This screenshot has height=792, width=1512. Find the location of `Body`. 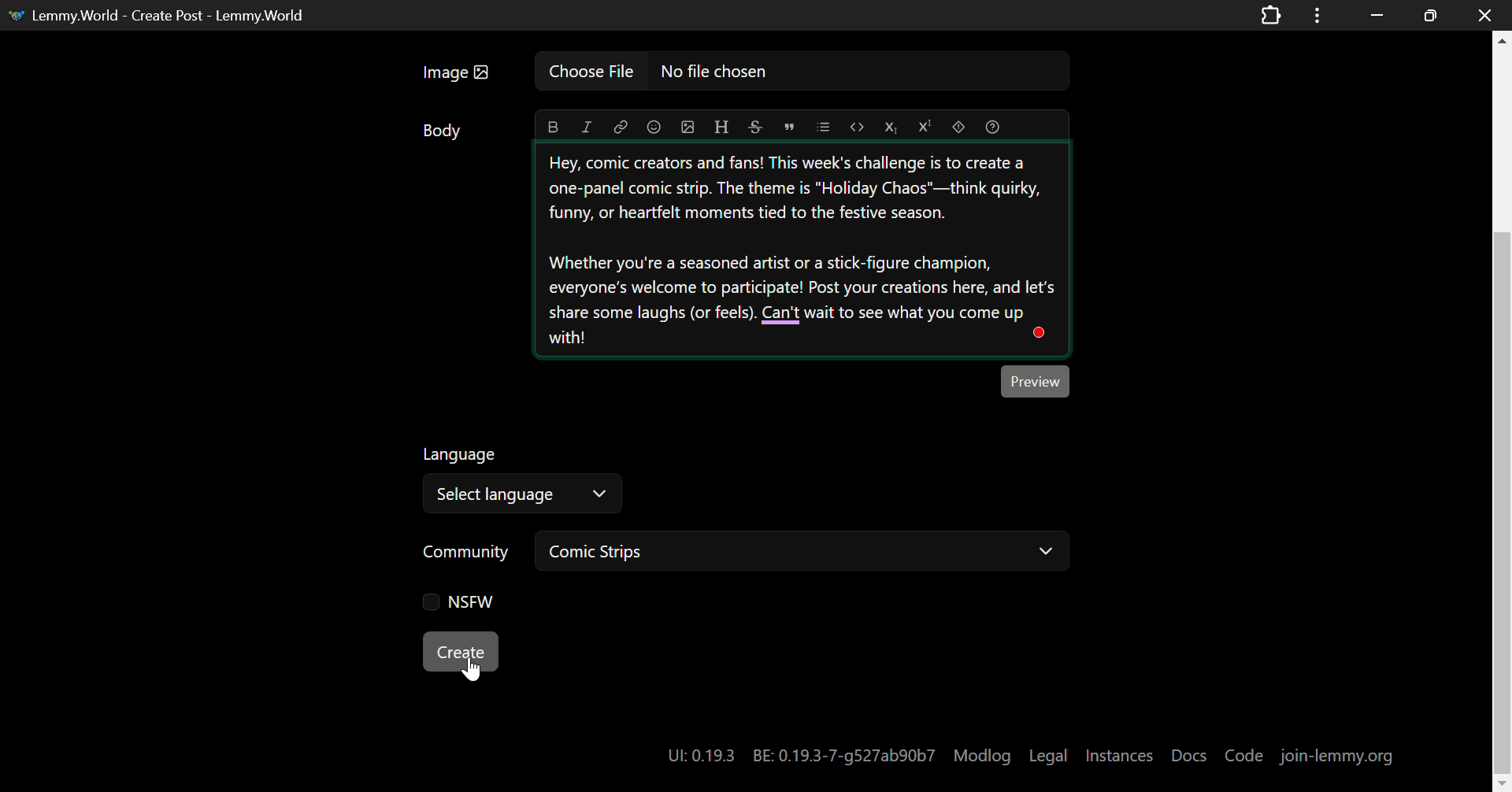

Body is located at coordinates (443, 134).